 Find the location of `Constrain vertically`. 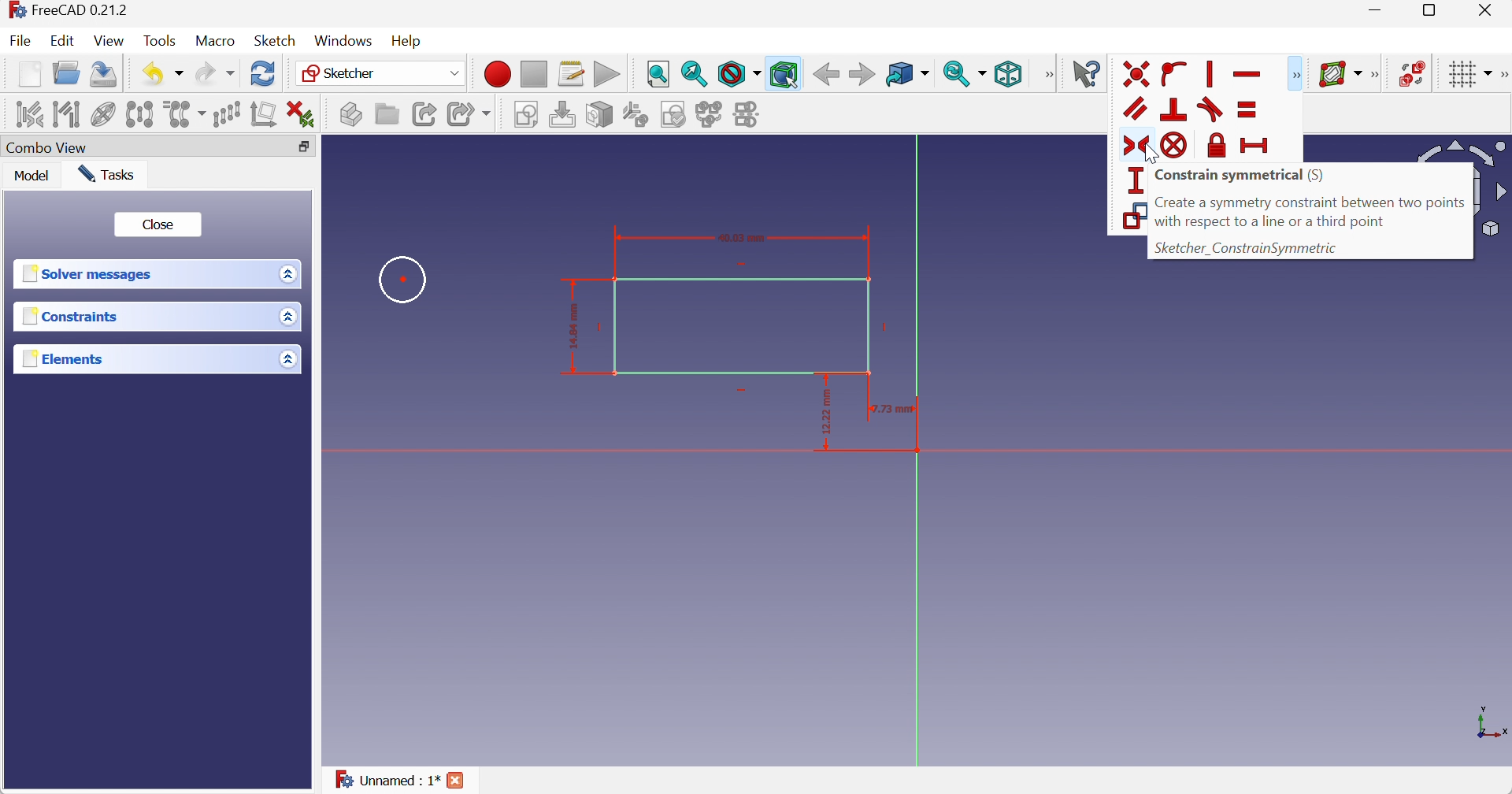

Constrain vertically is located at coordinates (1212, 74).